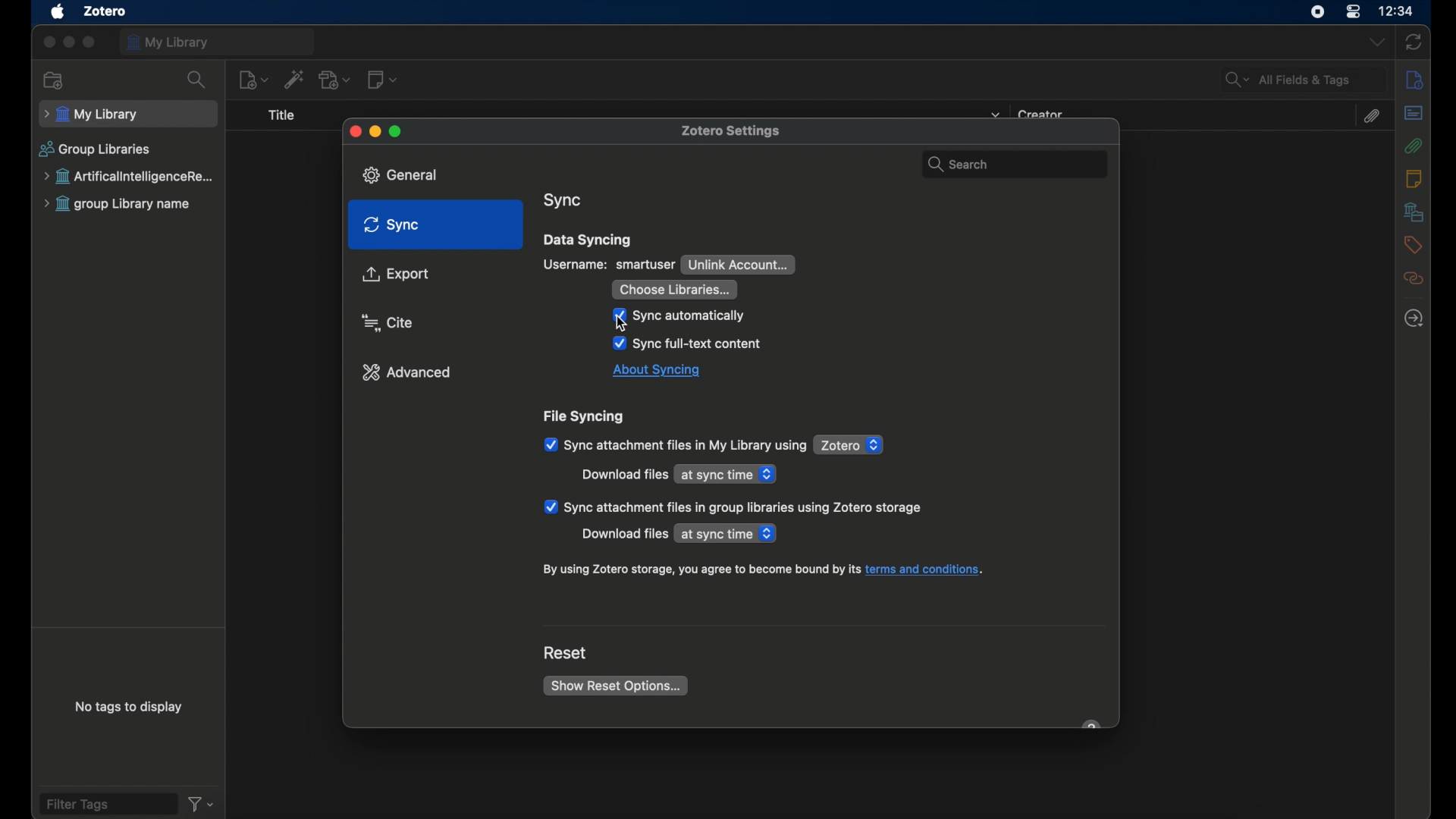 Image resolution: width=1456 pixels, height=819 pixels. Describe the element at coordinates (296, 80) in the screenshot. I see `add items by identifier` at that location.